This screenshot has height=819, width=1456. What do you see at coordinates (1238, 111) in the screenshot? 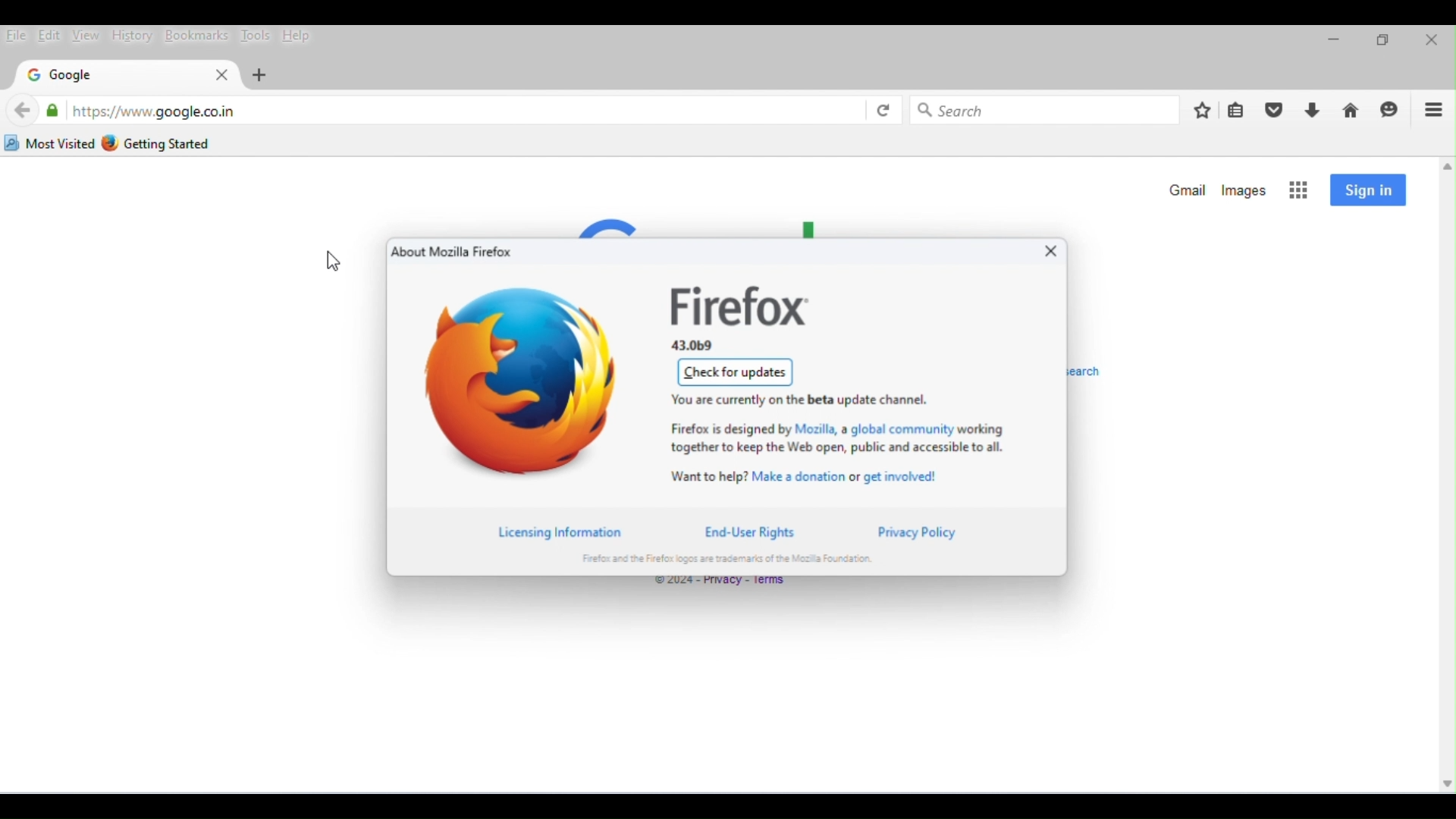
I see `show bookmarks` at bounding box center [1238, 111].